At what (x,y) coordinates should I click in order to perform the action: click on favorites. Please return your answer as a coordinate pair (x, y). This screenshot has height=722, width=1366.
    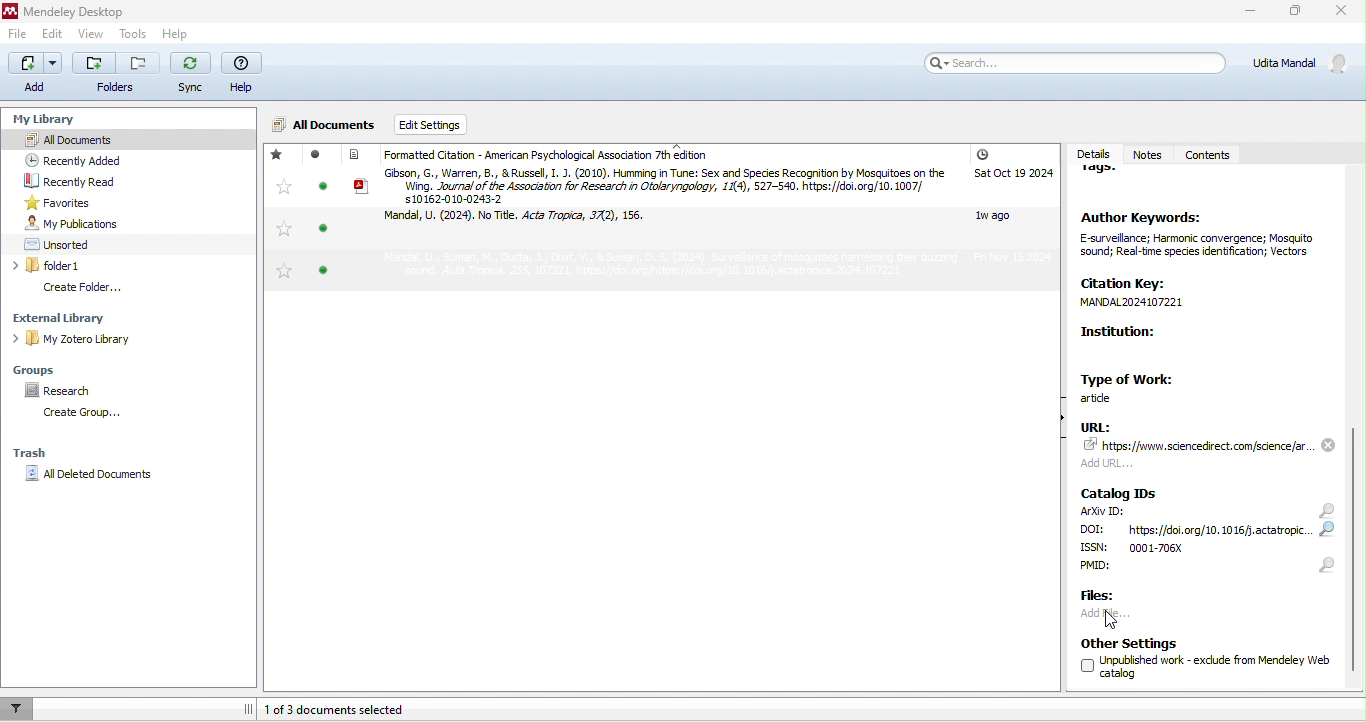
    Looking at the image, I should click on (281, 214).